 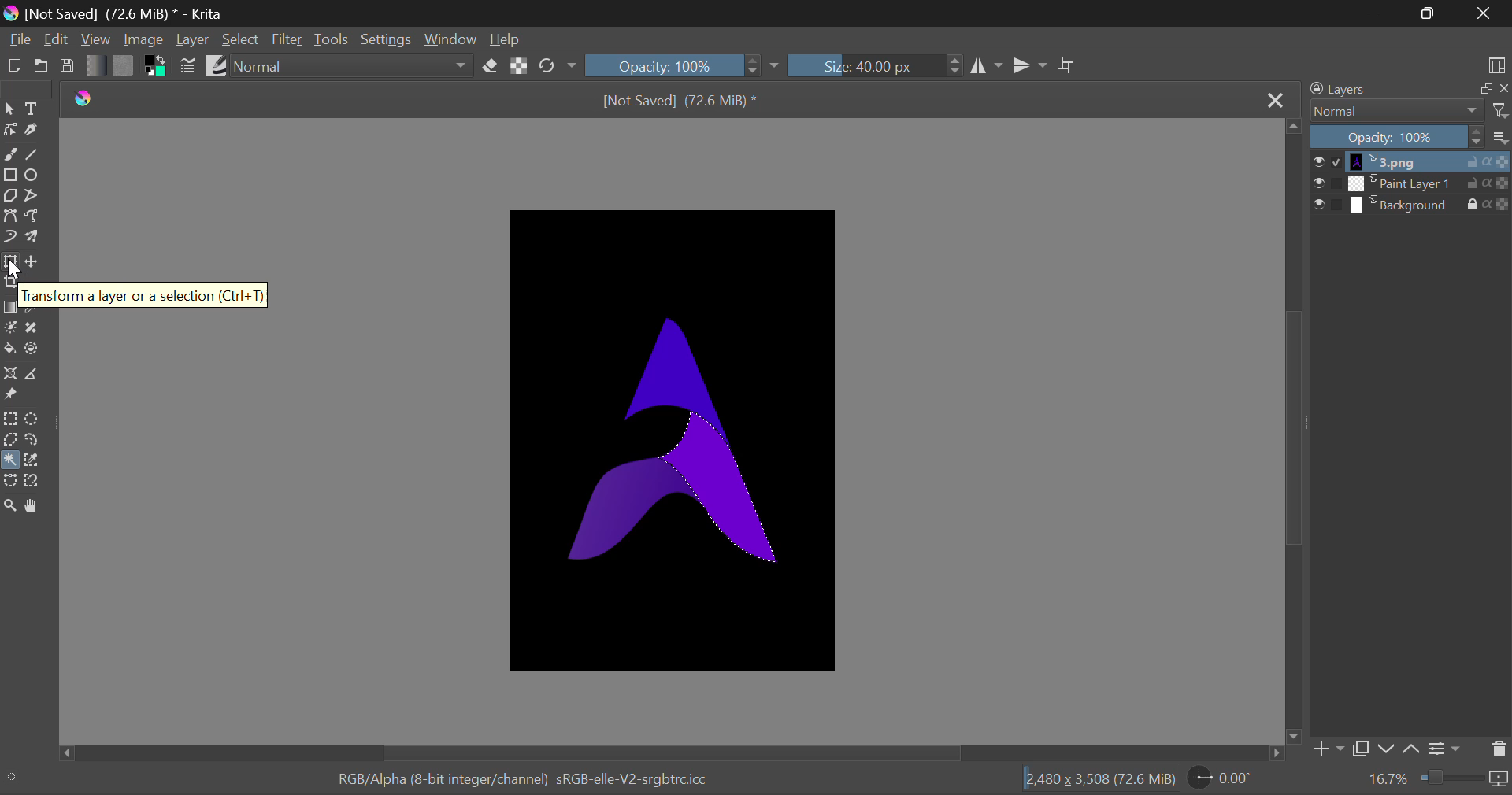 What do you see at coordinates (1328, 749) in the screenshot?
I see `Add Layer` at bounding box center [1328, 749].